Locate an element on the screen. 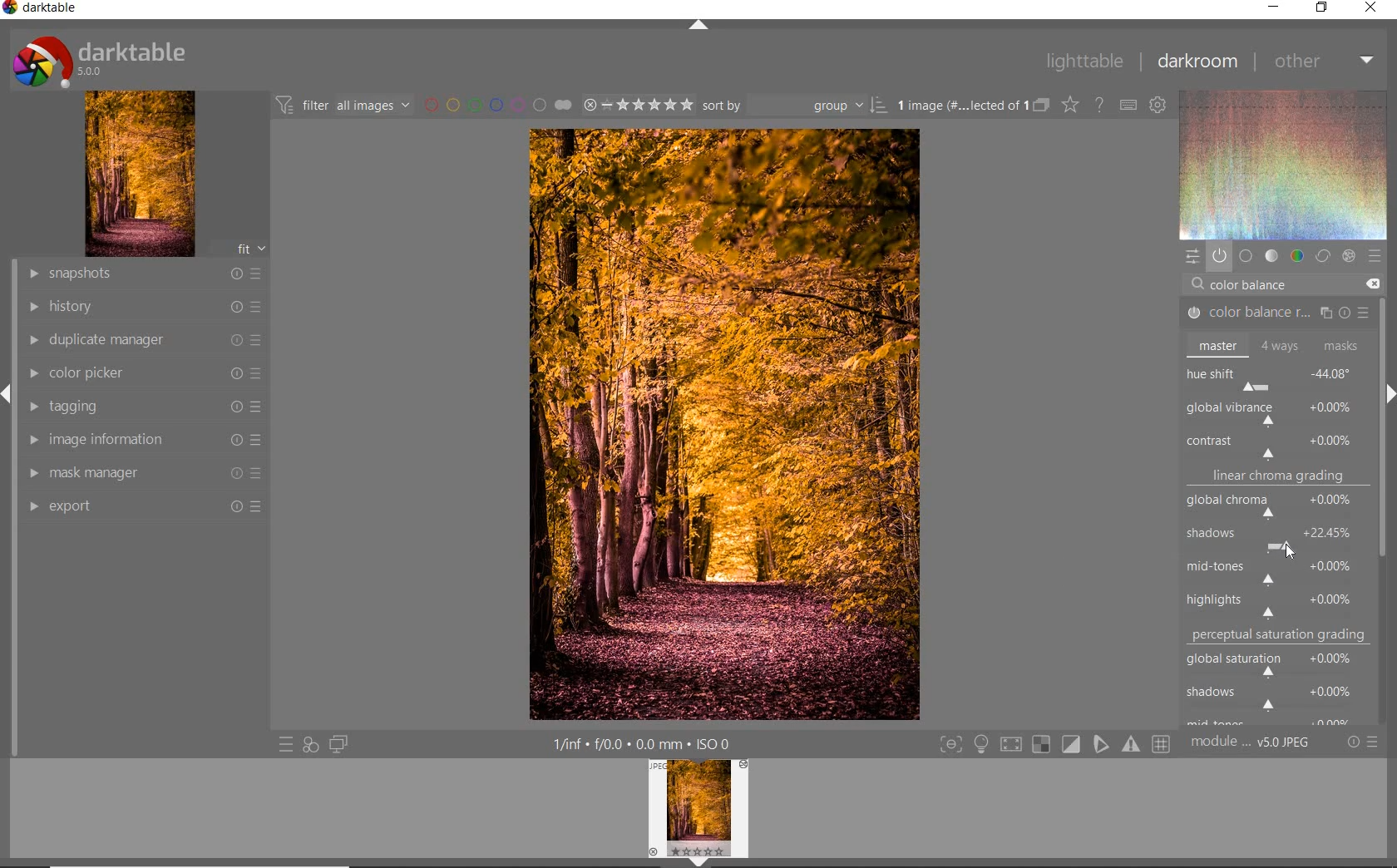 The image size is (1397, 868). CURSOR POSITION is located at coordinates (1288, 550).